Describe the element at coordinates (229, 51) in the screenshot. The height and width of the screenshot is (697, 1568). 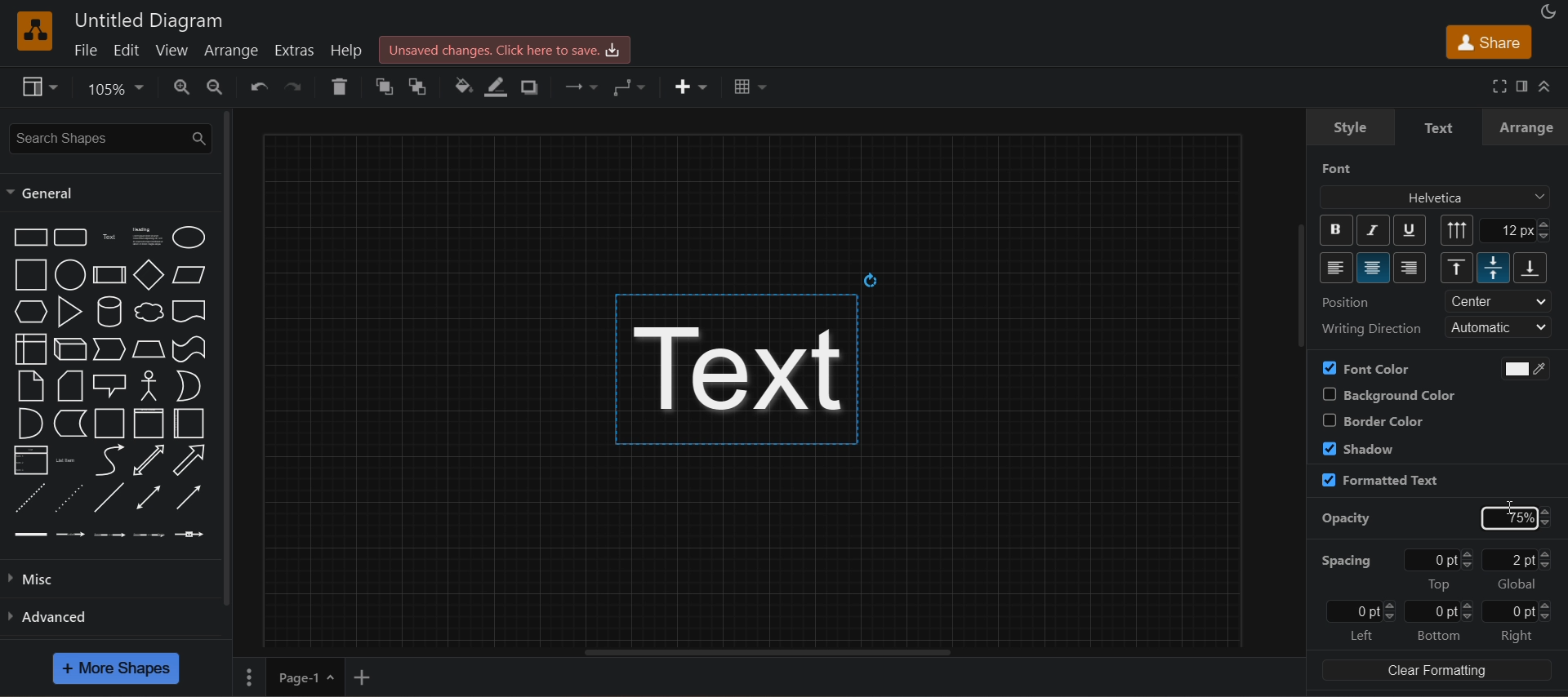
I see `arrange` at that location.